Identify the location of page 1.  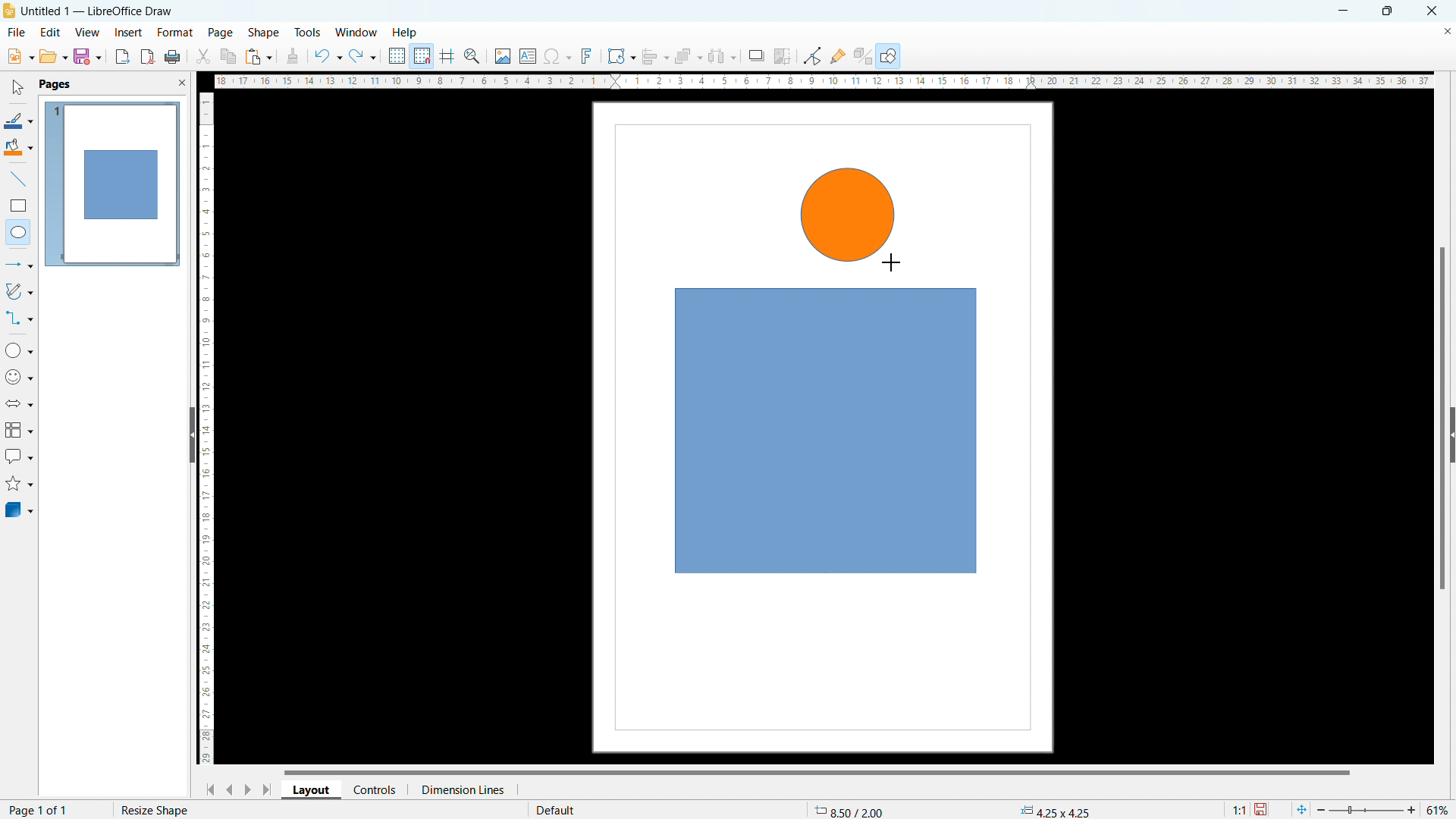
(111, 183).